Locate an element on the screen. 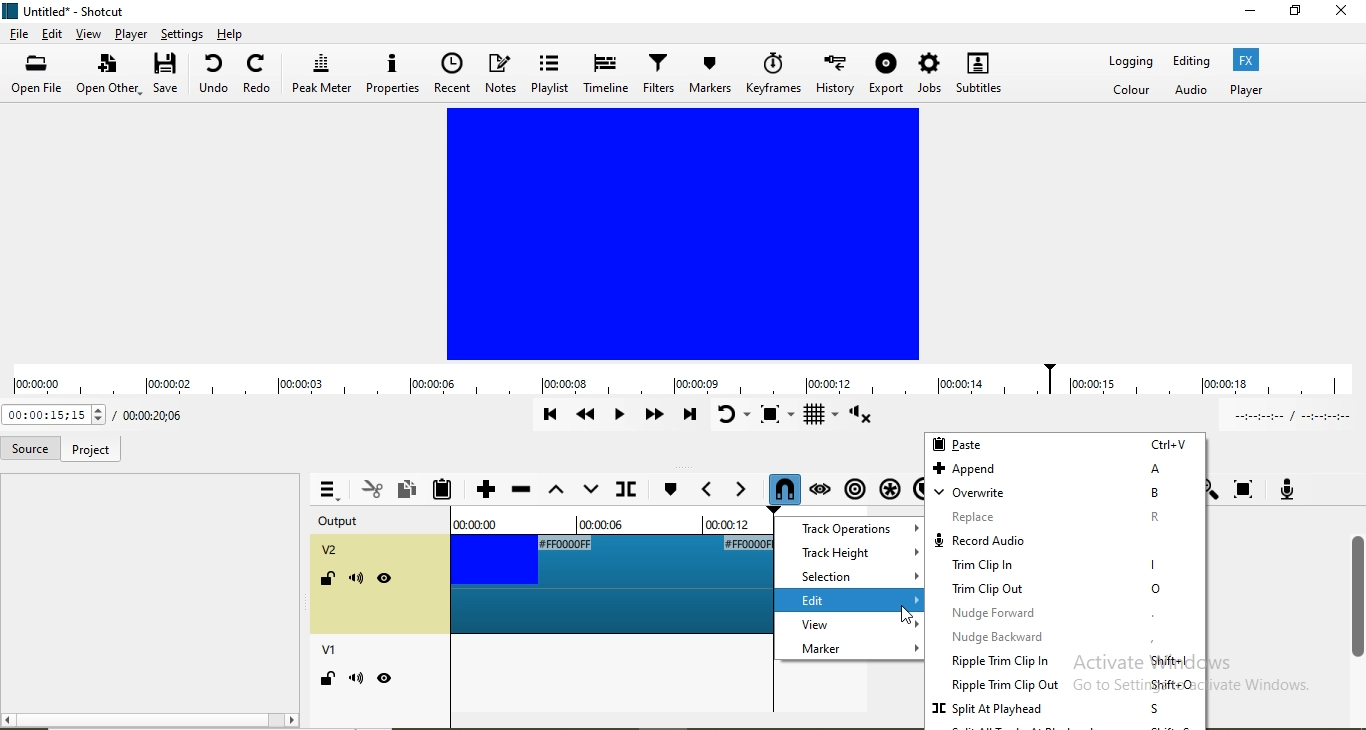 This screenshot has width=1366, height=730. open file is located at coordinates (40, 76).